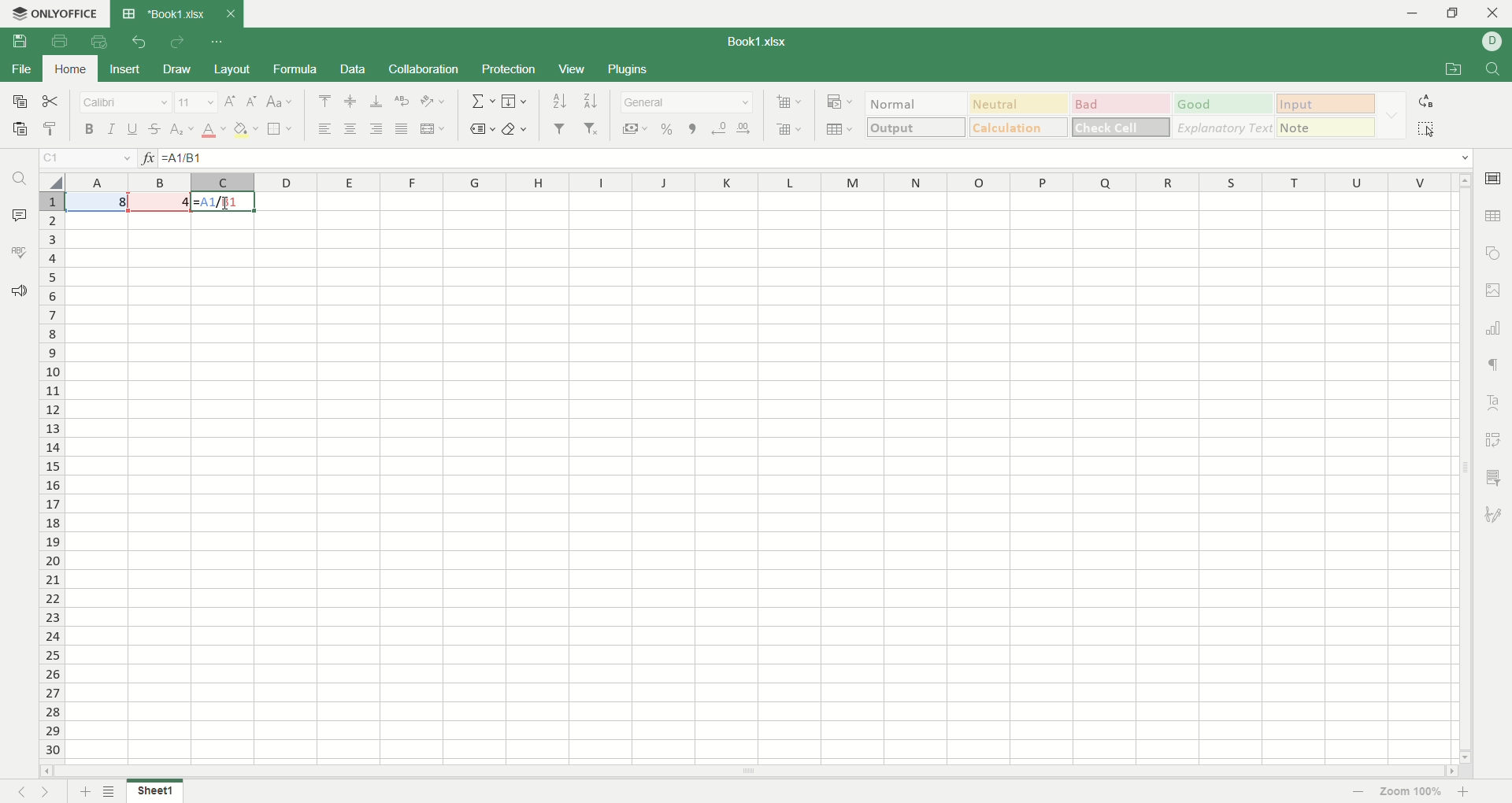  I want to click on italic, so click(111, 128).